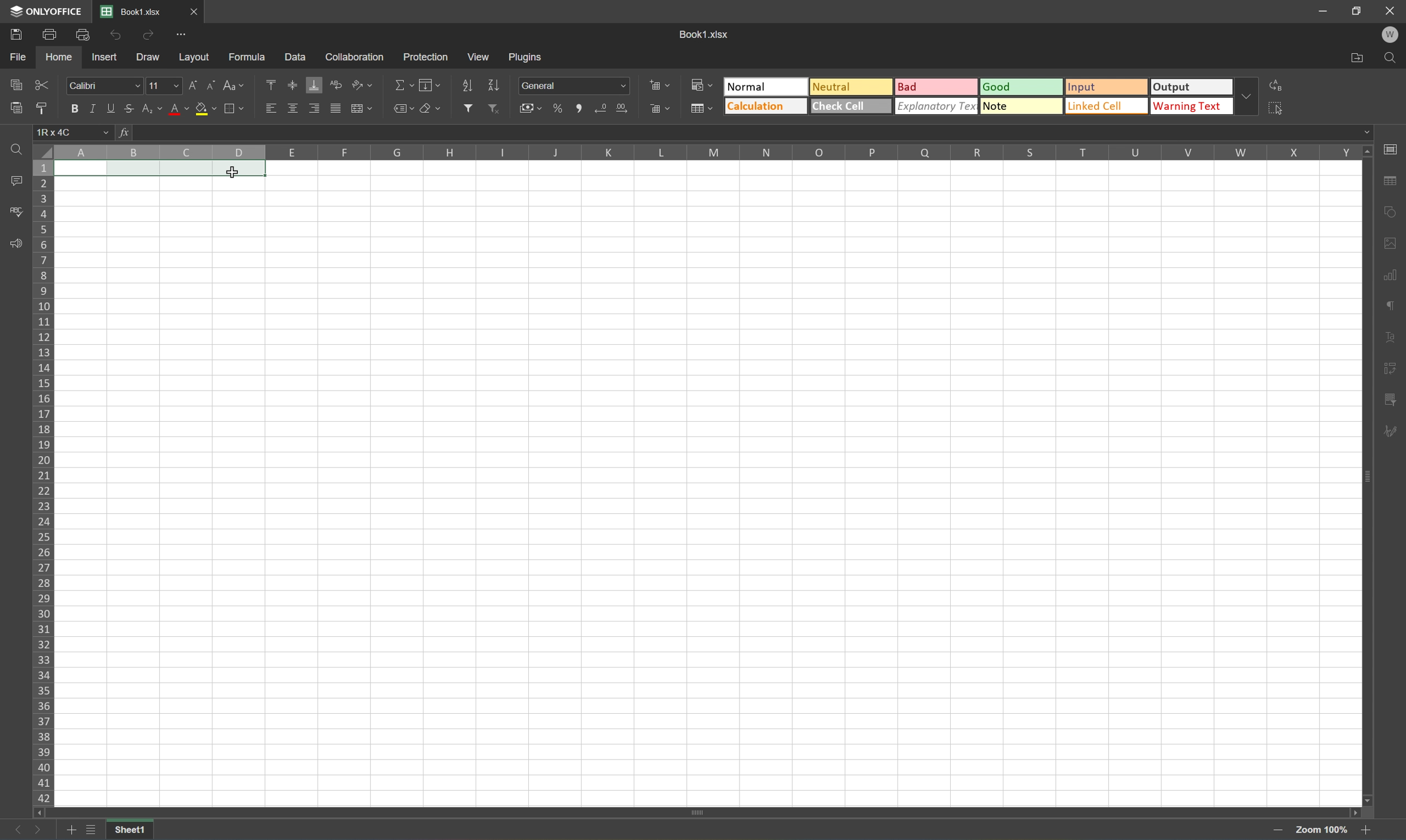 The height and width of the screenshot is (840, 1406). Describe the element at coordinates (937, 88) in the screenshot. I see `Bad` at that location.